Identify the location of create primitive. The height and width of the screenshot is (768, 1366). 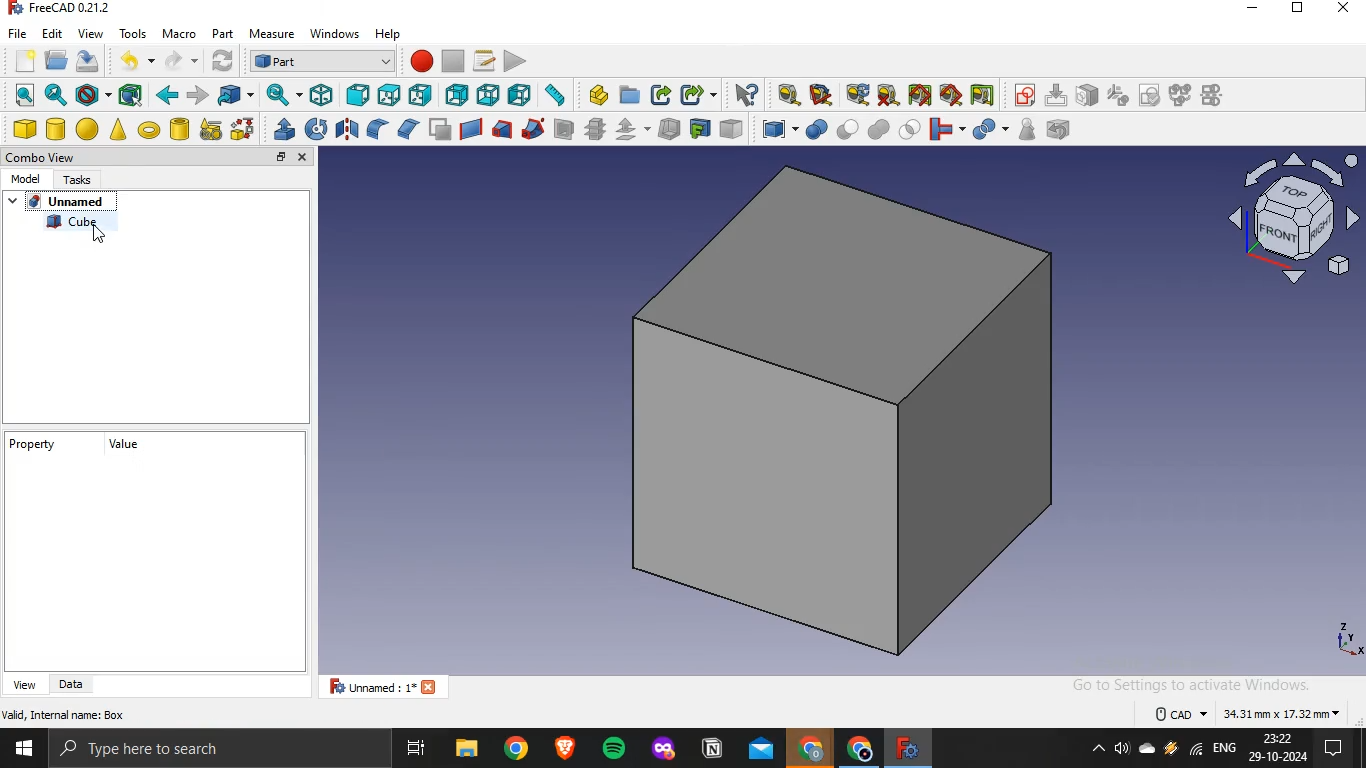
(211, 129).